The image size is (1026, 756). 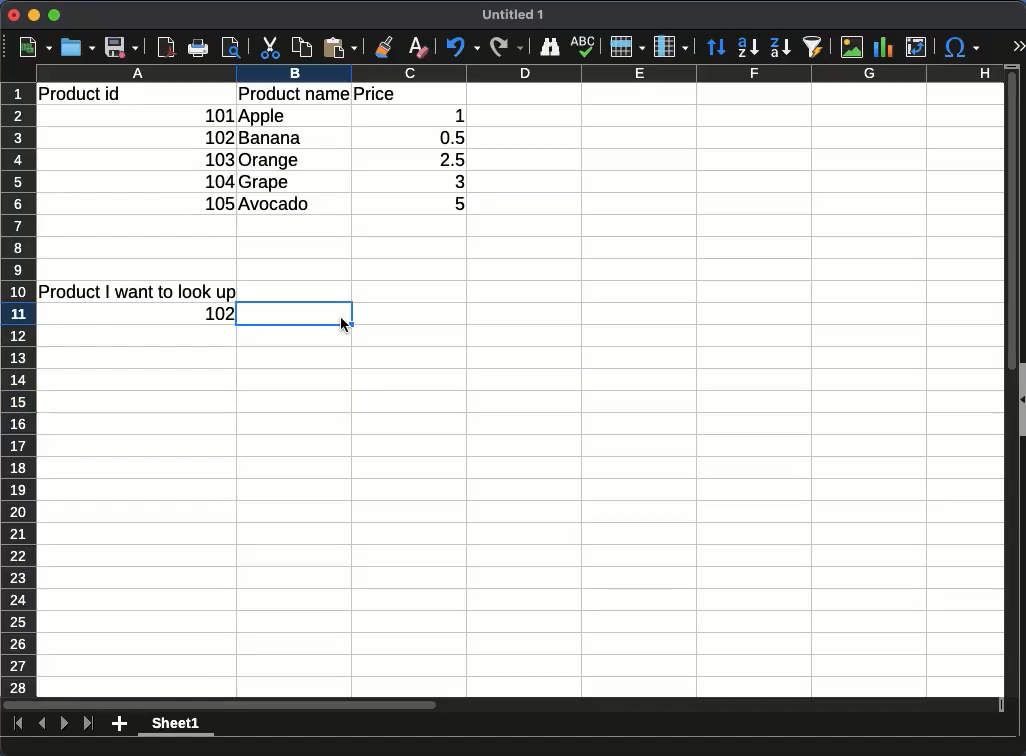 I want to click on copy, so click(x=302, y=47).